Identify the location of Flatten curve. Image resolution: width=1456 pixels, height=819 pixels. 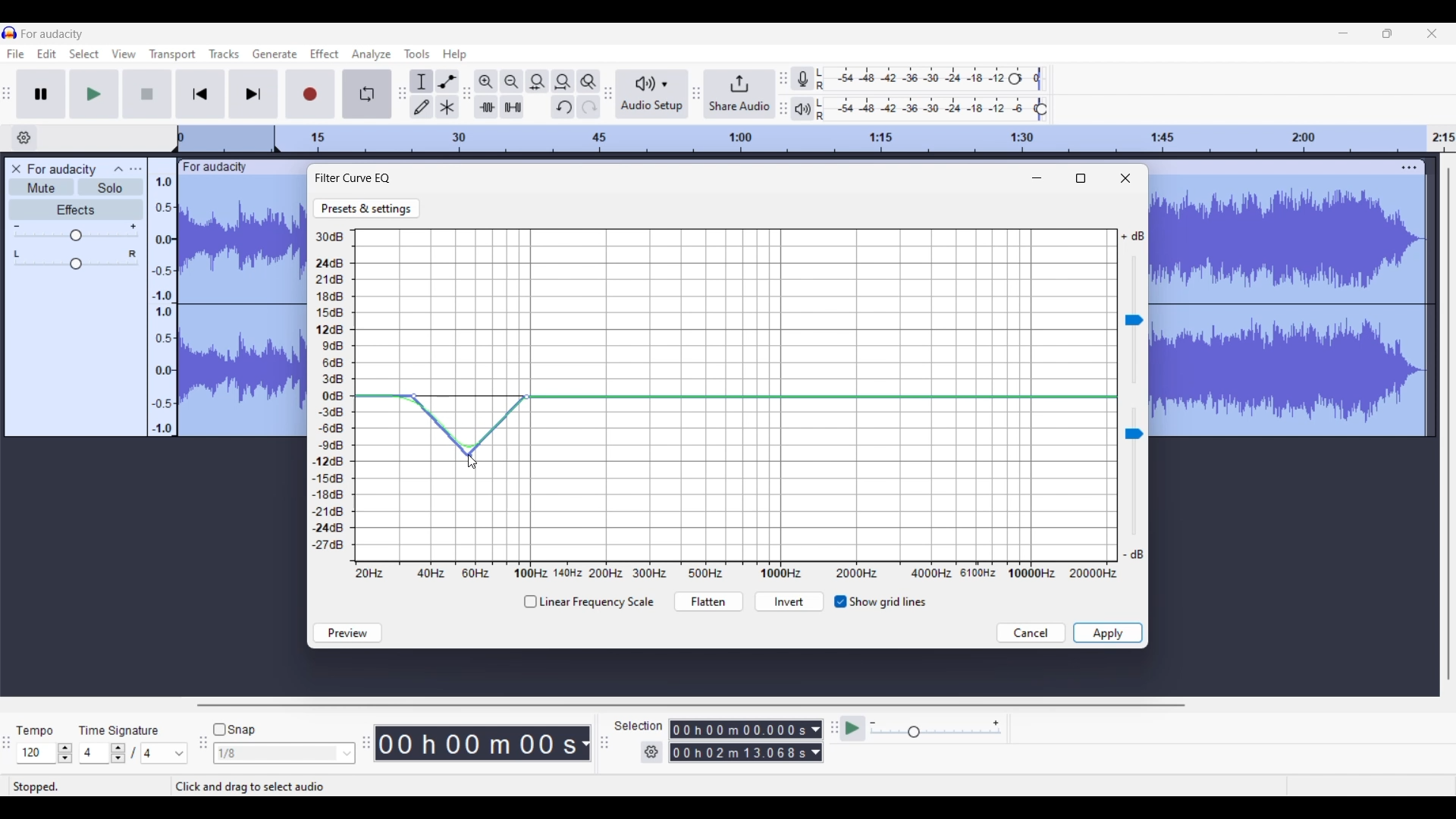
(708, 602).